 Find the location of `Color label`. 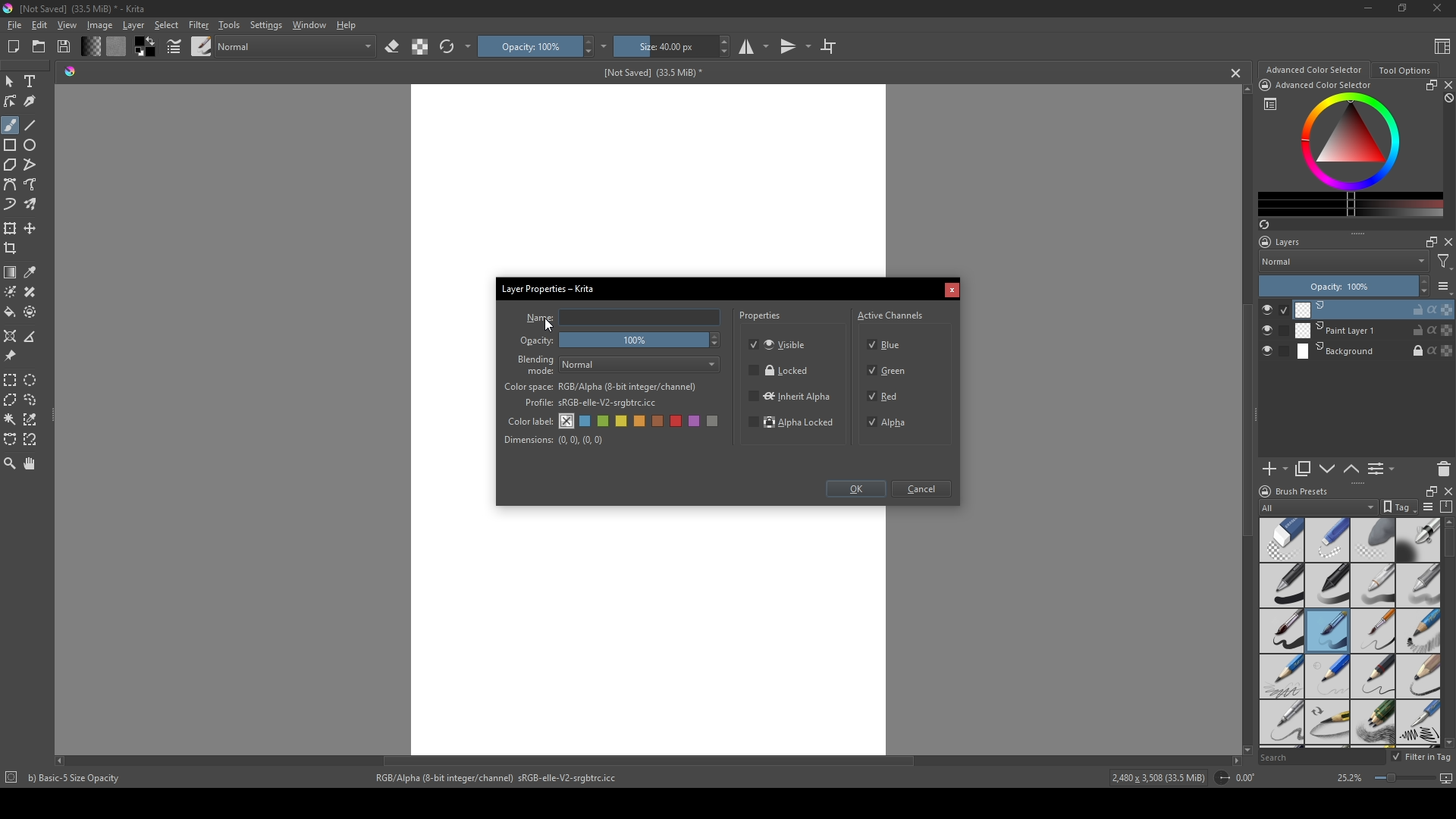

Color label is located at coordinates (529, 419).